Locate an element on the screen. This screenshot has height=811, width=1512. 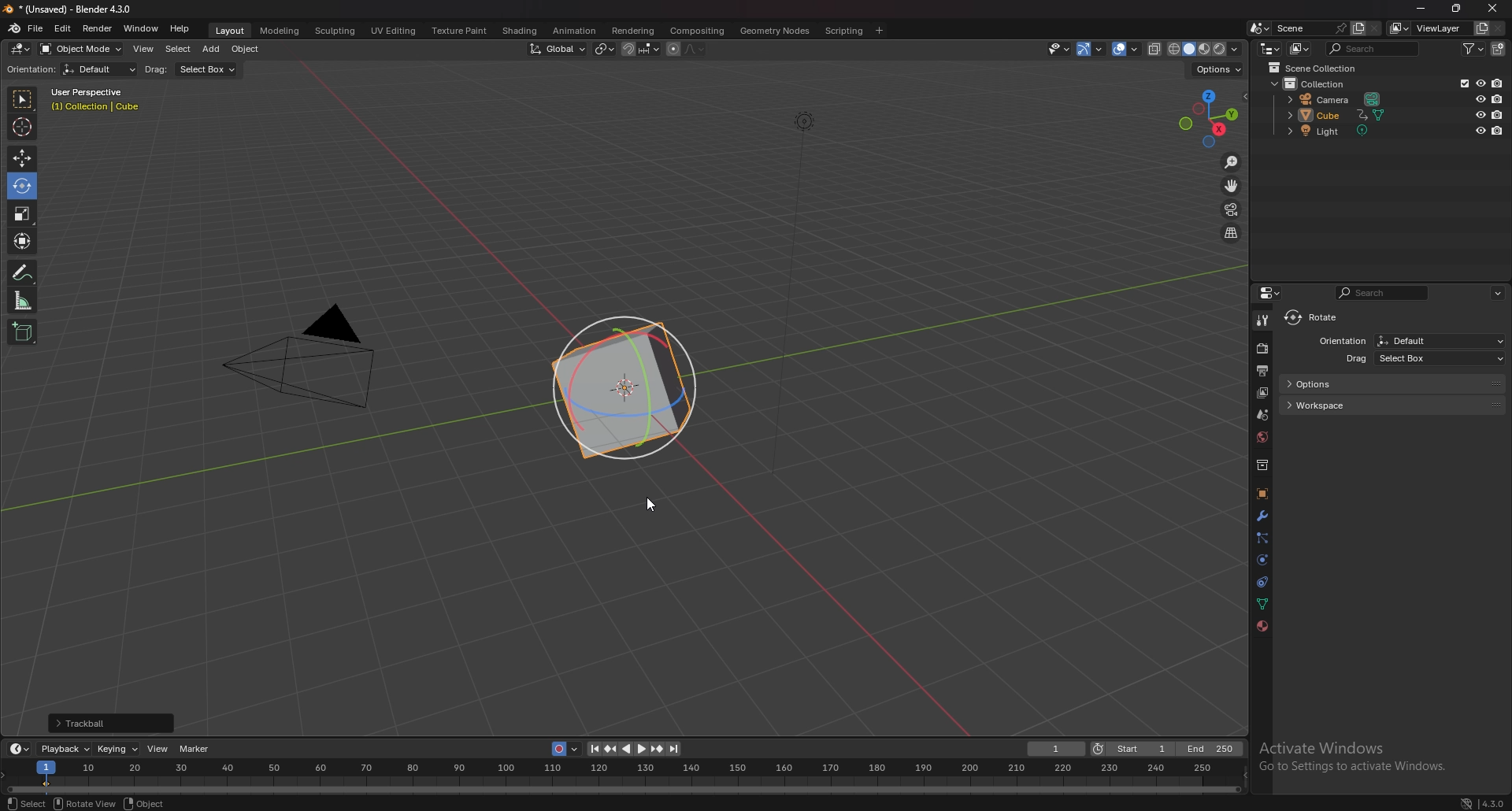
Orientation is located at coordinates (1341, 340).